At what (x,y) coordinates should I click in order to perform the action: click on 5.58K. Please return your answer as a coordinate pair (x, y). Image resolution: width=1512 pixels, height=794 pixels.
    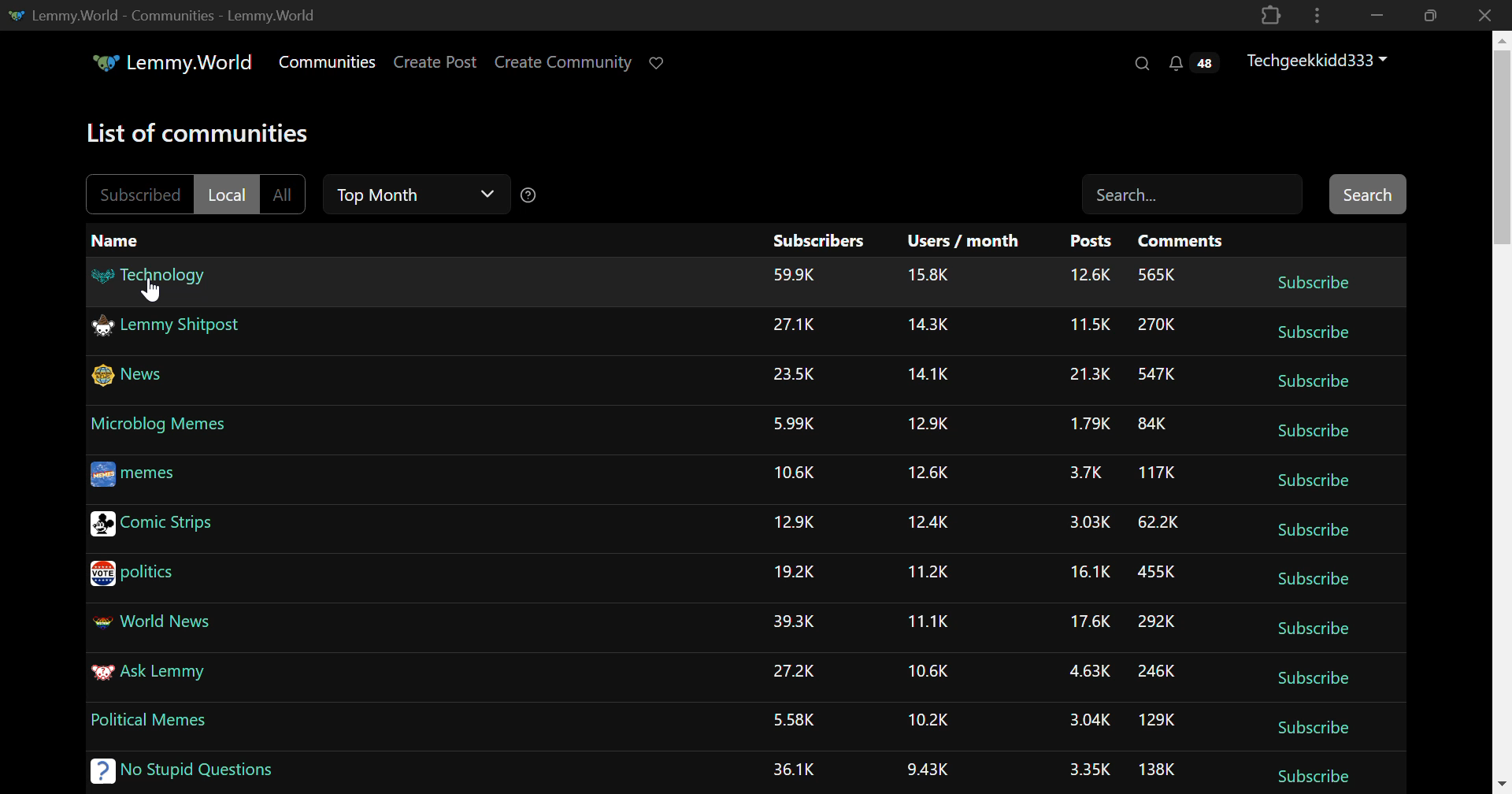
    Looking at the image, I should click on (798, 721).